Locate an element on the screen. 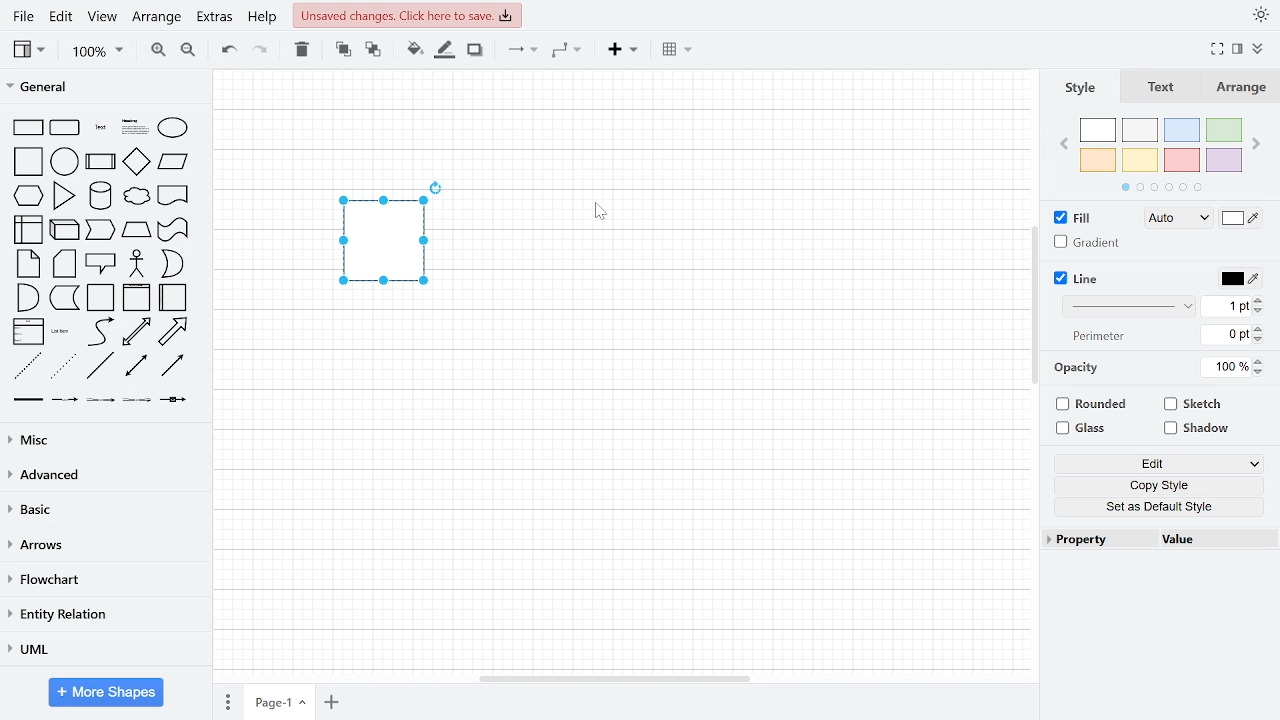 This screenshot has width=1280, height=720. rounded rectangle is located at coordinates (66, 128).